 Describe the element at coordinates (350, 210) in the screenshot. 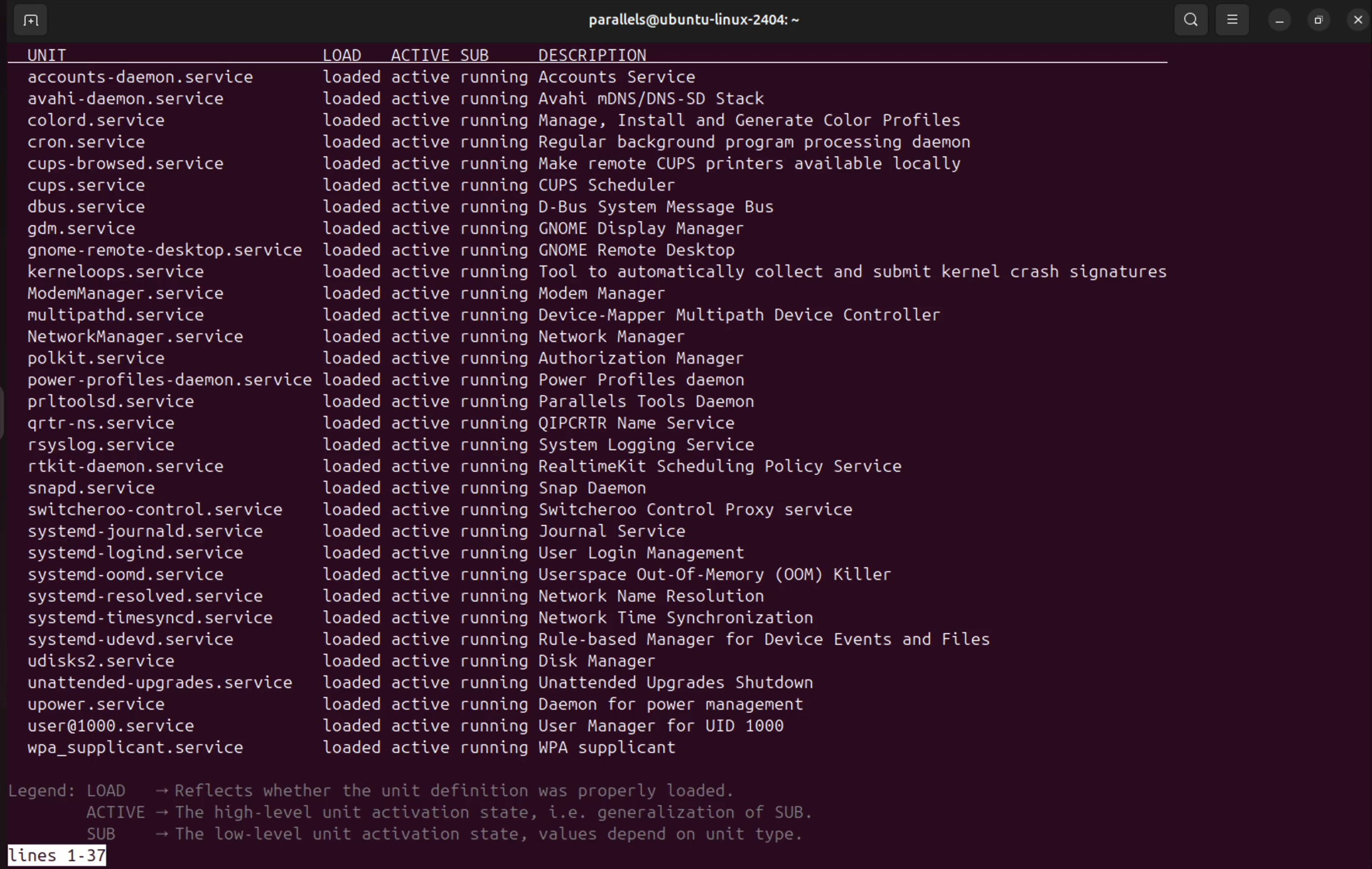

I see `loaded` at that location.